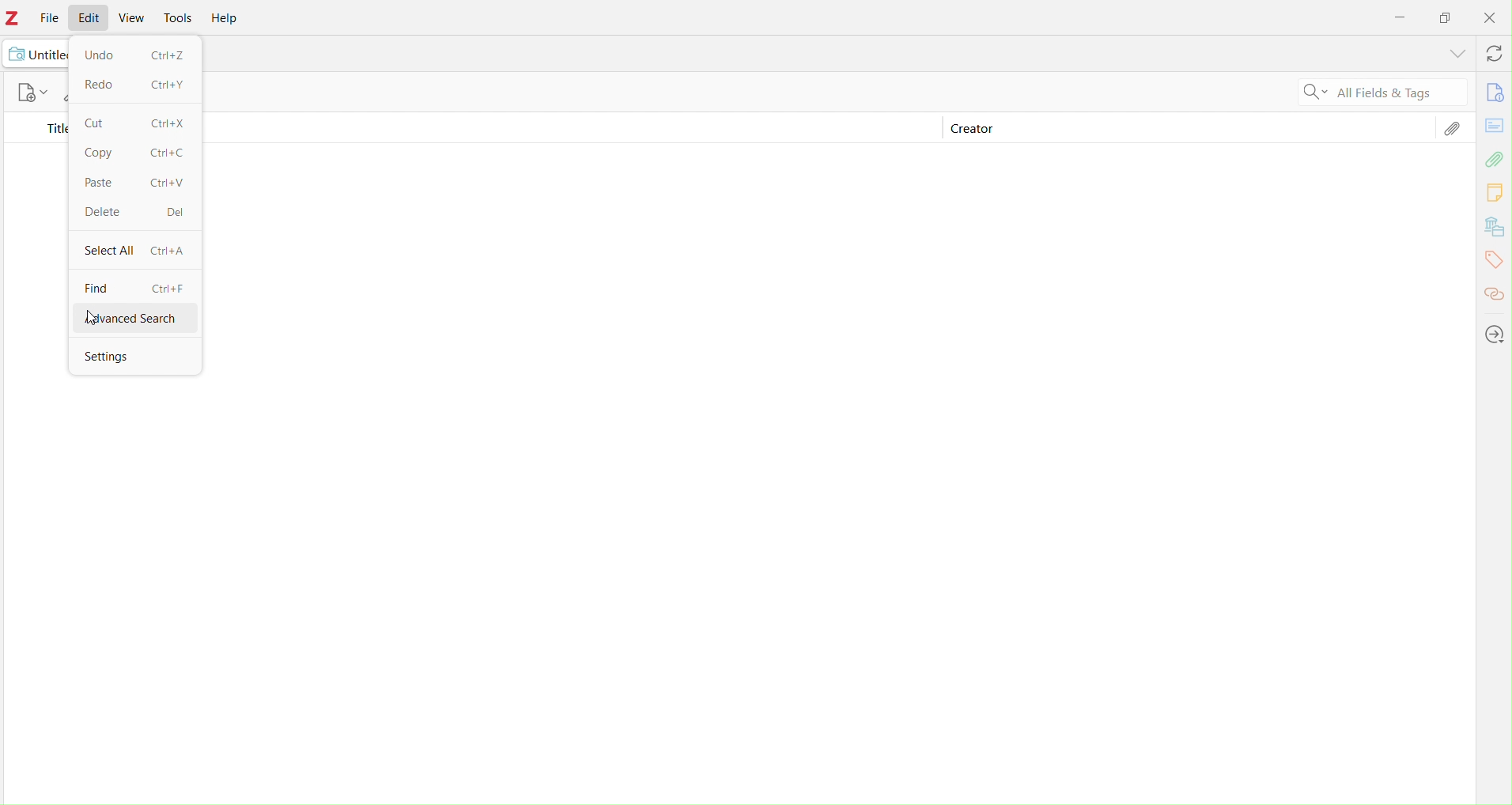  What do you see at coordinates (48, 19) in the screenshot?
I see `File` at bounding box center [48, 19].